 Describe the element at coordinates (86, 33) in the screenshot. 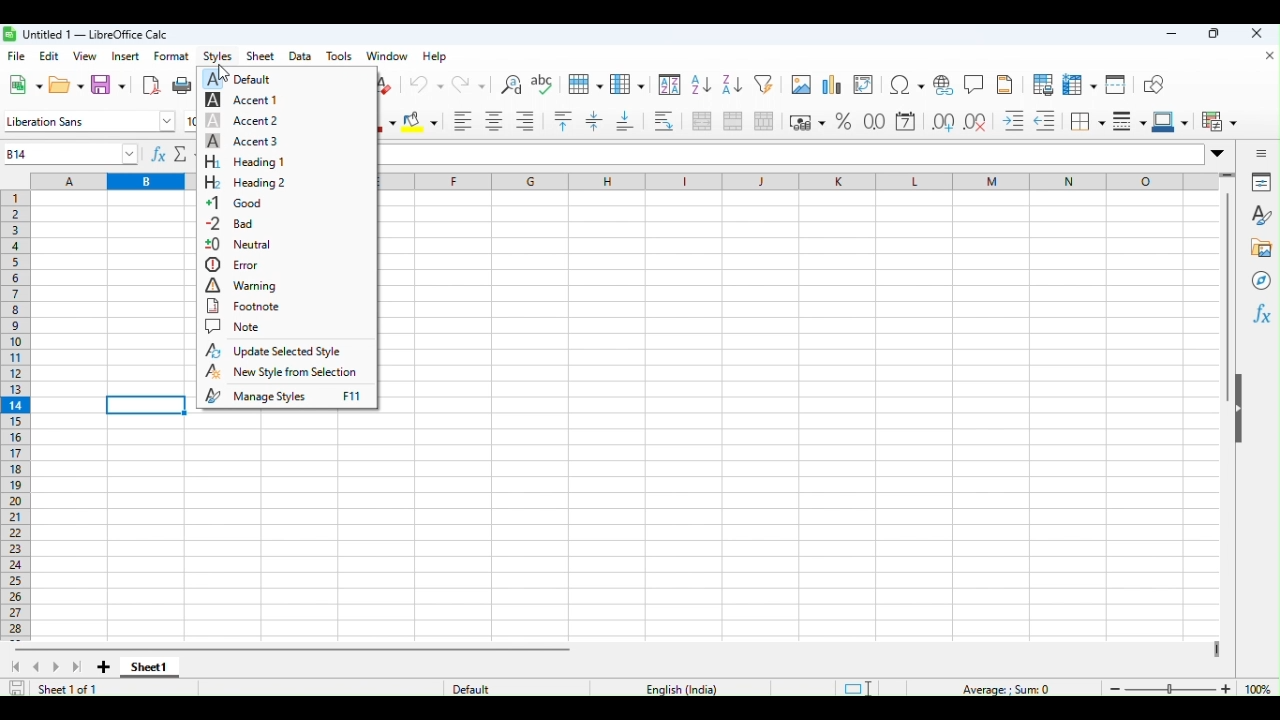

I see `Untitled 1 - LibreOffice Calc` at that location.